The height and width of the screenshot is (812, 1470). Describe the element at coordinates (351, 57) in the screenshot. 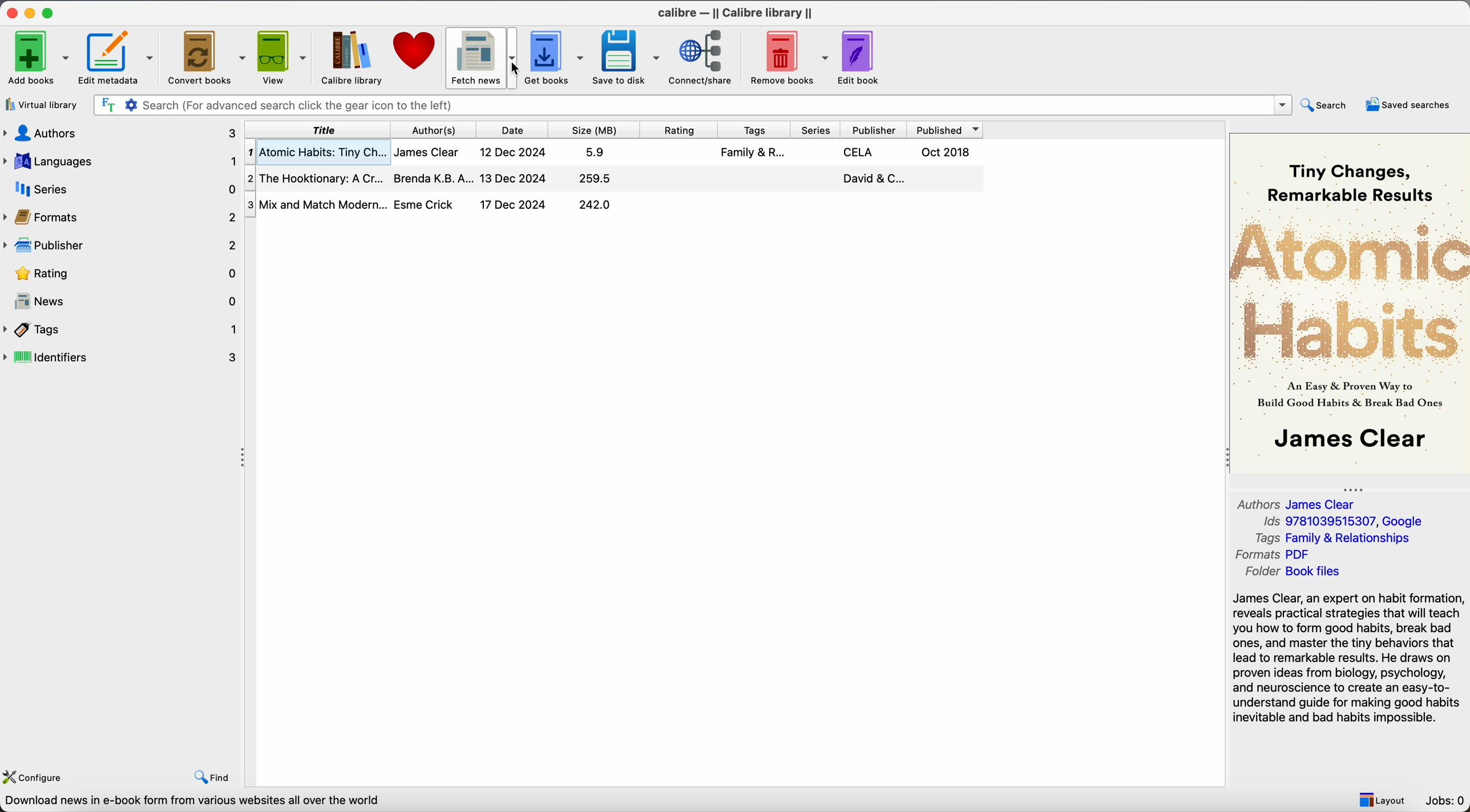

I see `Calibre library` at that location.